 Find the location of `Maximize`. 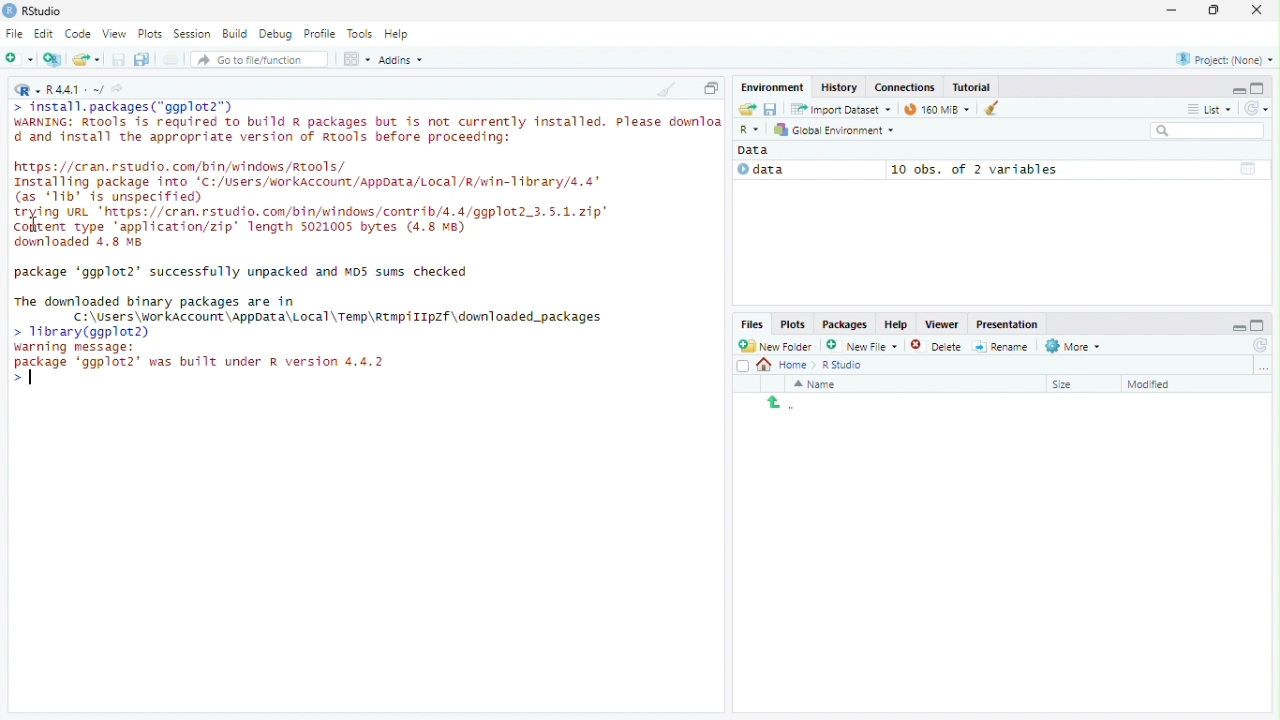

Maximize is located at coordinates (1216, 10).